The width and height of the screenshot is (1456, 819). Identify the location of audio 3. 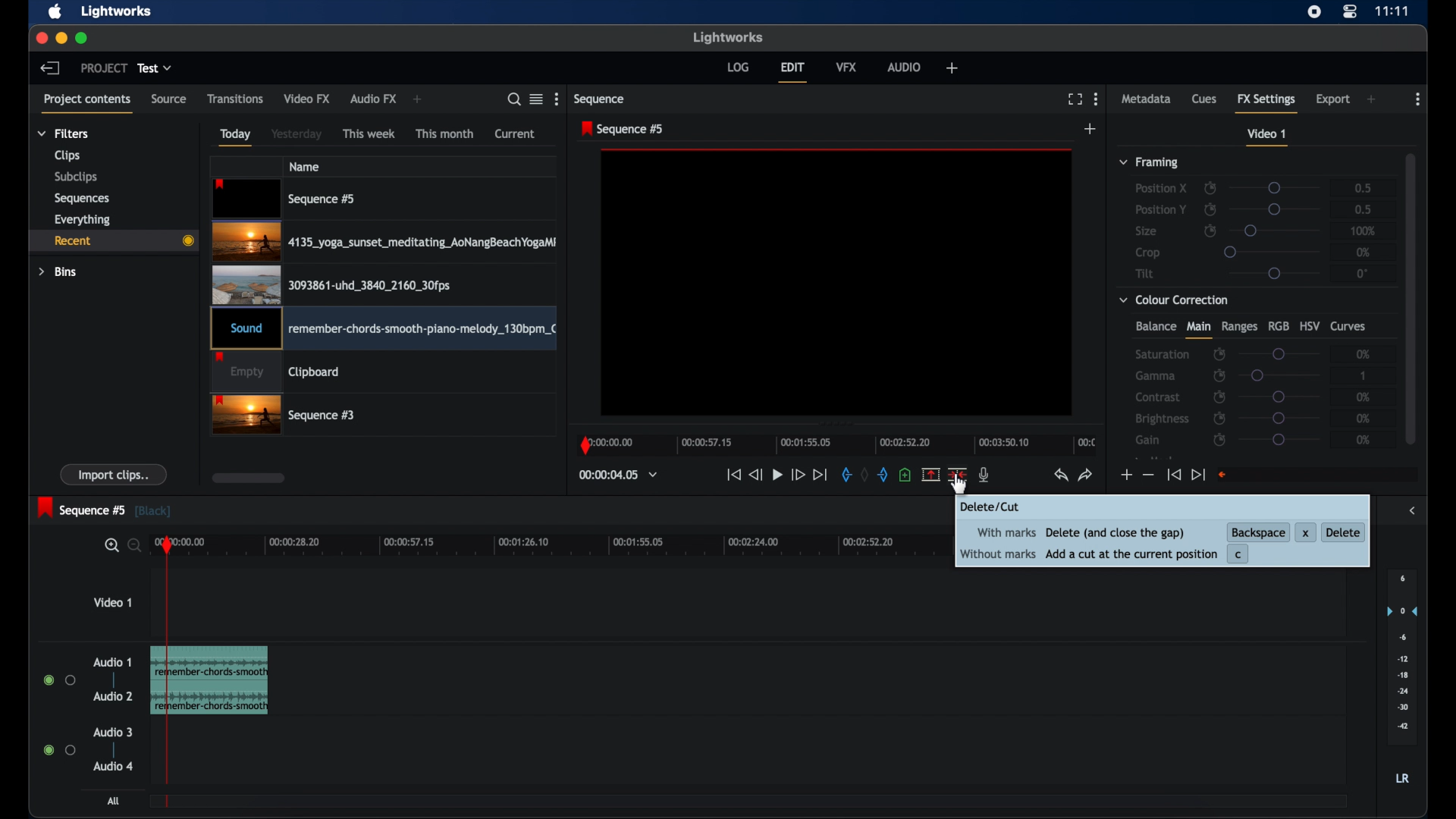
(111, 733).